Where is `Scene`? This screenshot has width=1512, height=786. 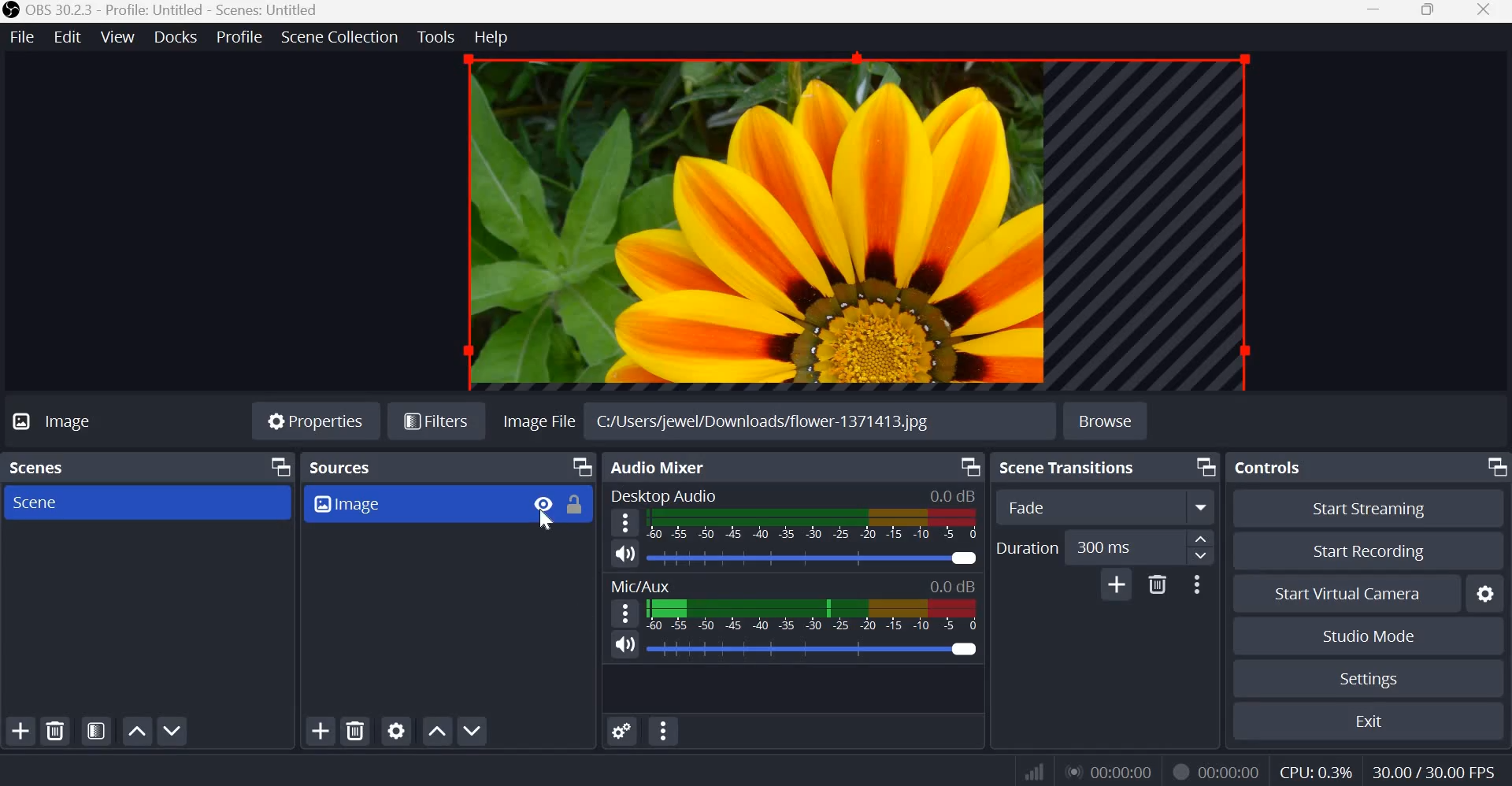 Scene is located at coordinates (39, 502).